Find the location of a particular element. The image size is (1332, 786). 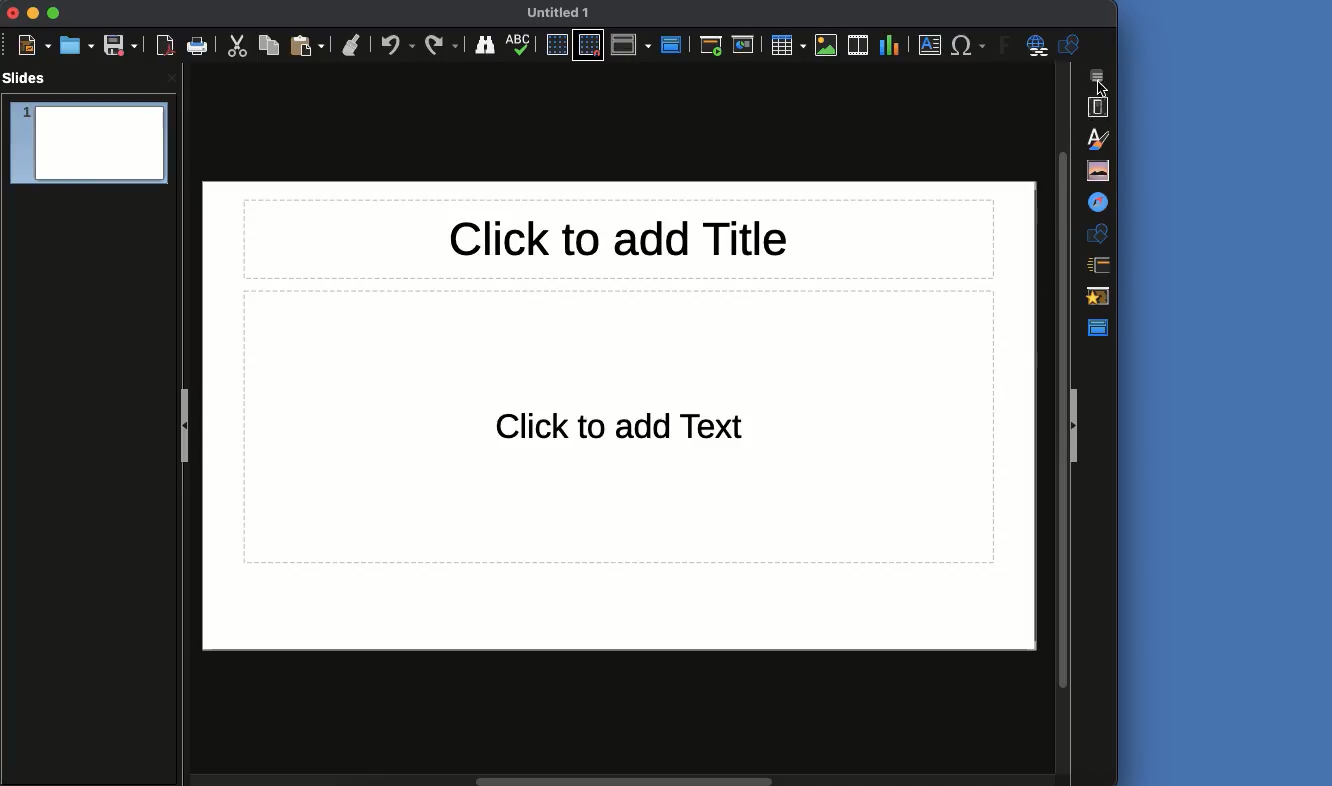

Shapes is located at coordinates (1071, 44).